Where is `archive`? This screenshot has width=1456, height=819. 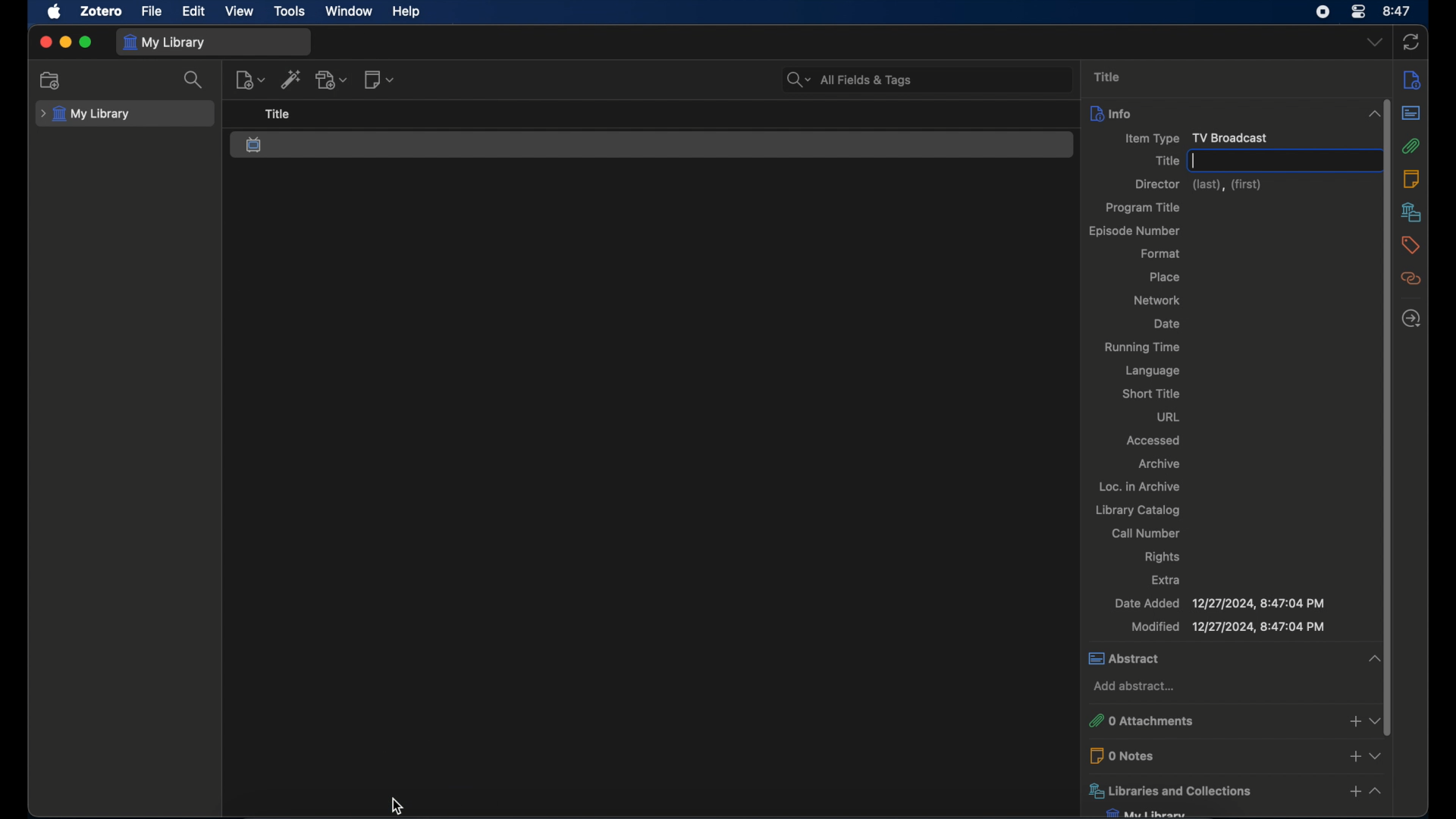 archive is located at coordinates (1160, 464).